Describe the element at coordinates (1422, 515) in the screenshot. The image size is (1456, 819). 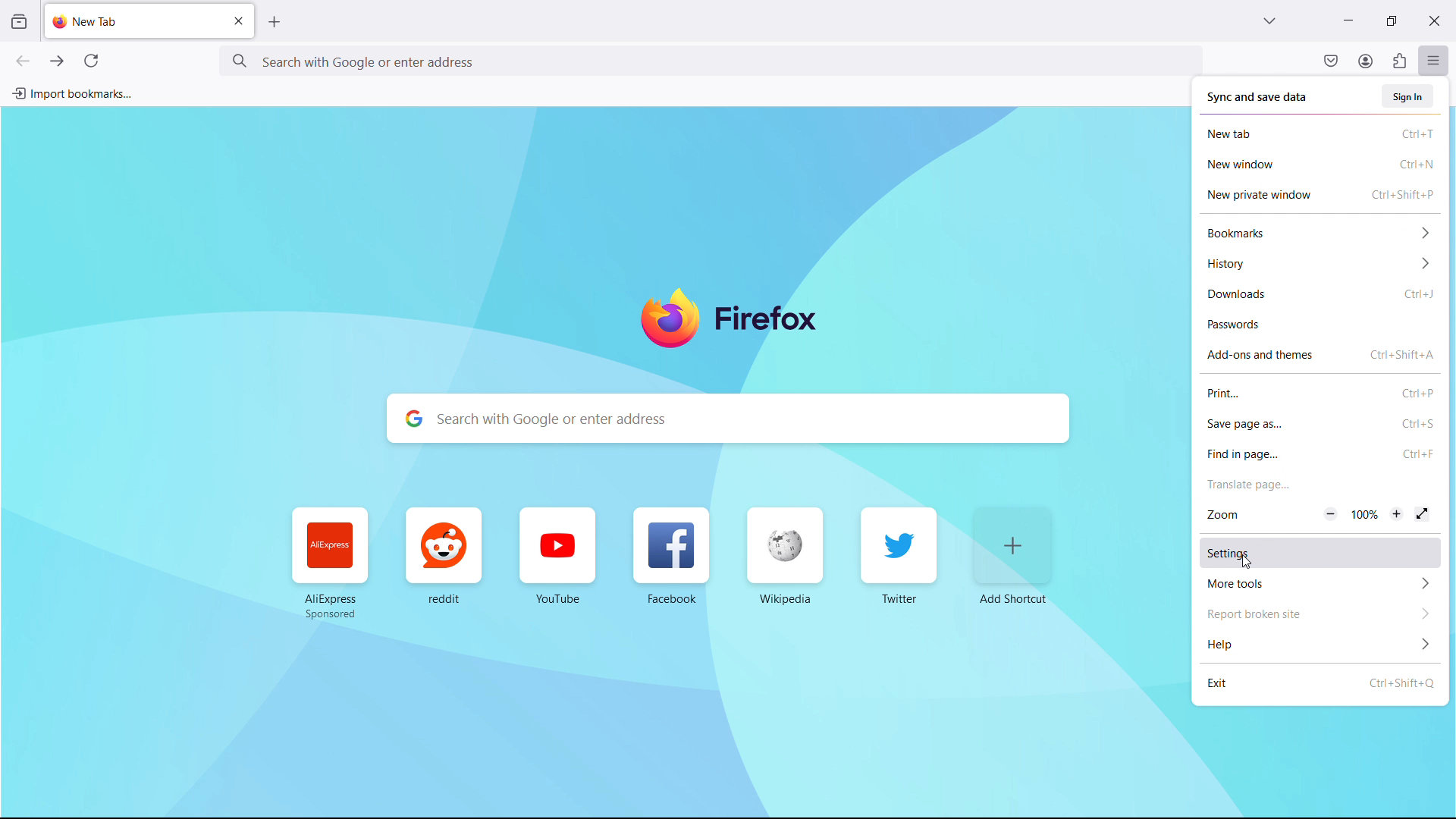
I see `display the window in full screen` at that location.